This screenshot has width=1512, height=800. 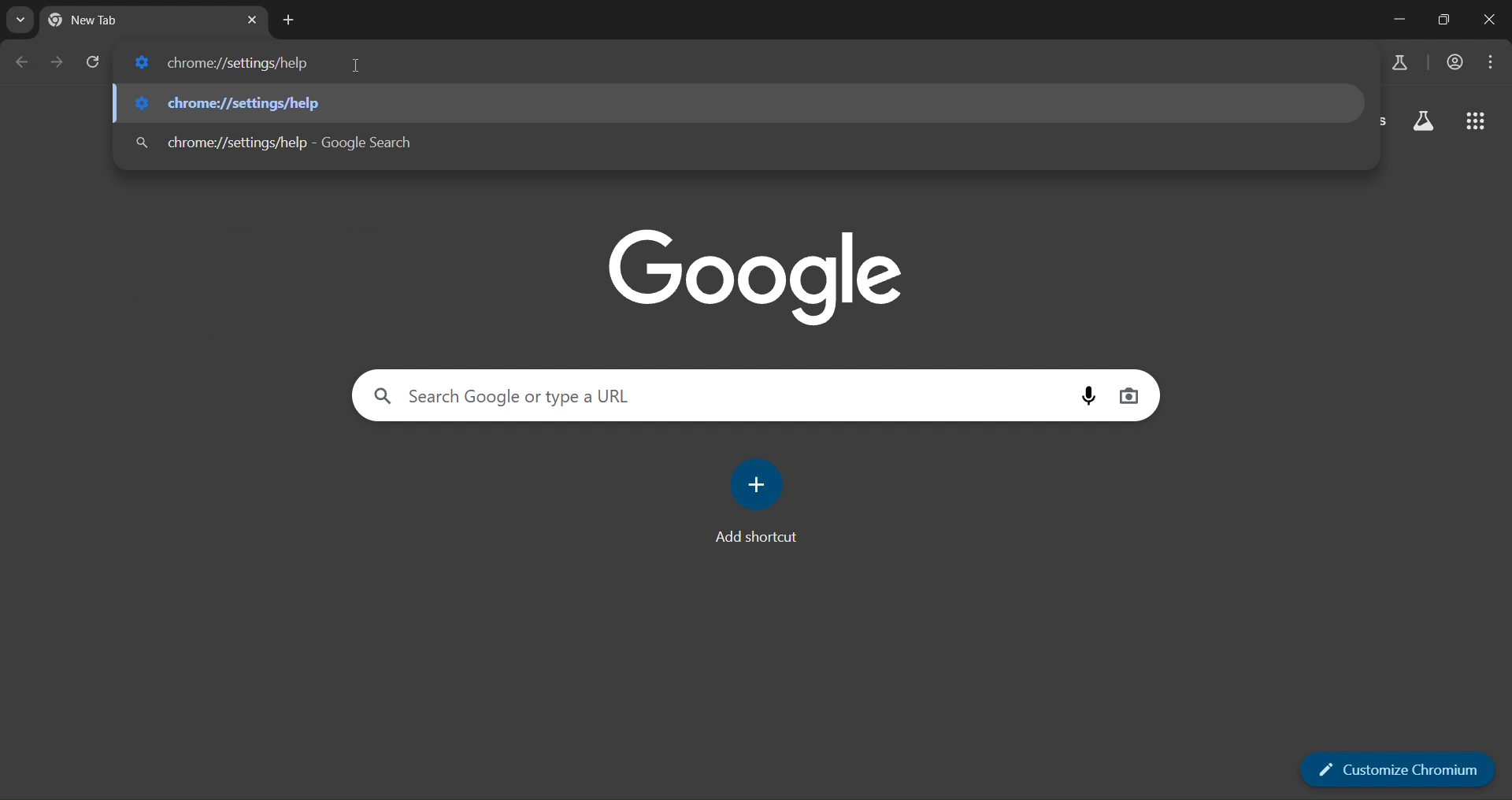 I want to click on google apps, so click(x=1476, y=121).